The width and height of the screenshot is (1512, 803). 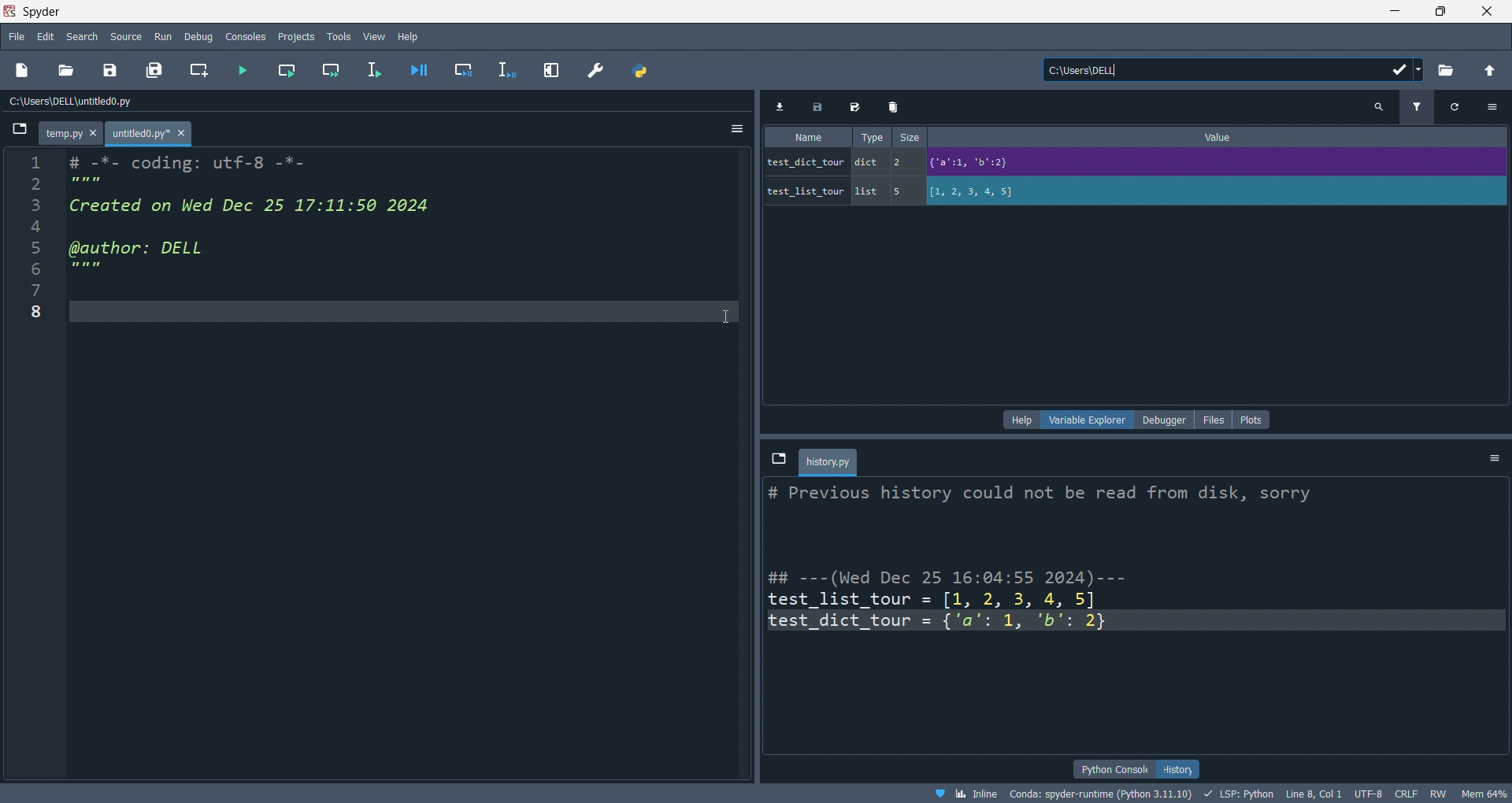 I want to click on edit, so click(x=46, y=36).